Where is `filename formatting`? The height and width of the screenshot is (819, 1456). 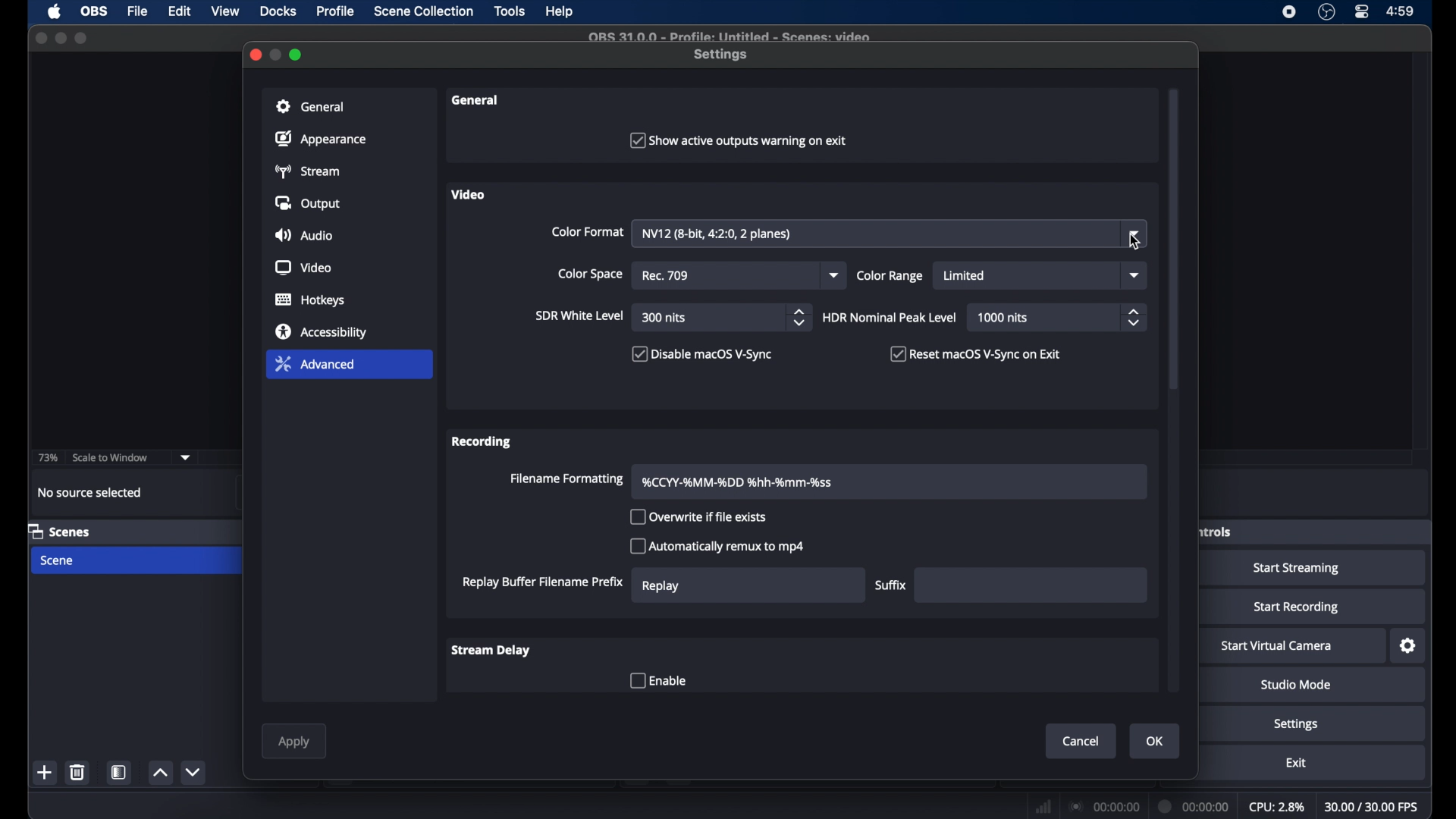 filename formatting is located at coordinates (567, 479).